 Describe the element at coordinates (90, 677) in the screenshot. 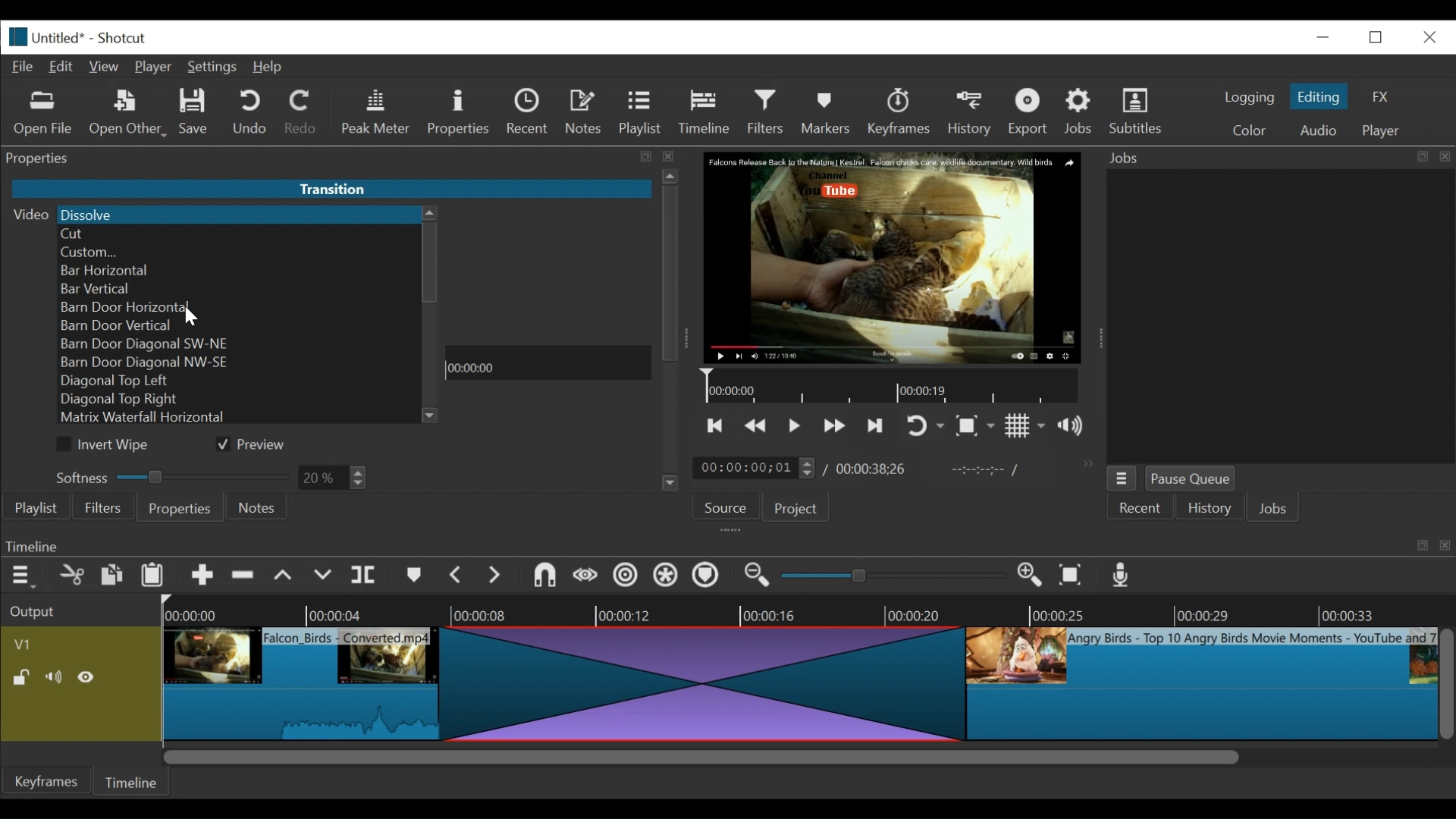

I see `Hide` at that location.